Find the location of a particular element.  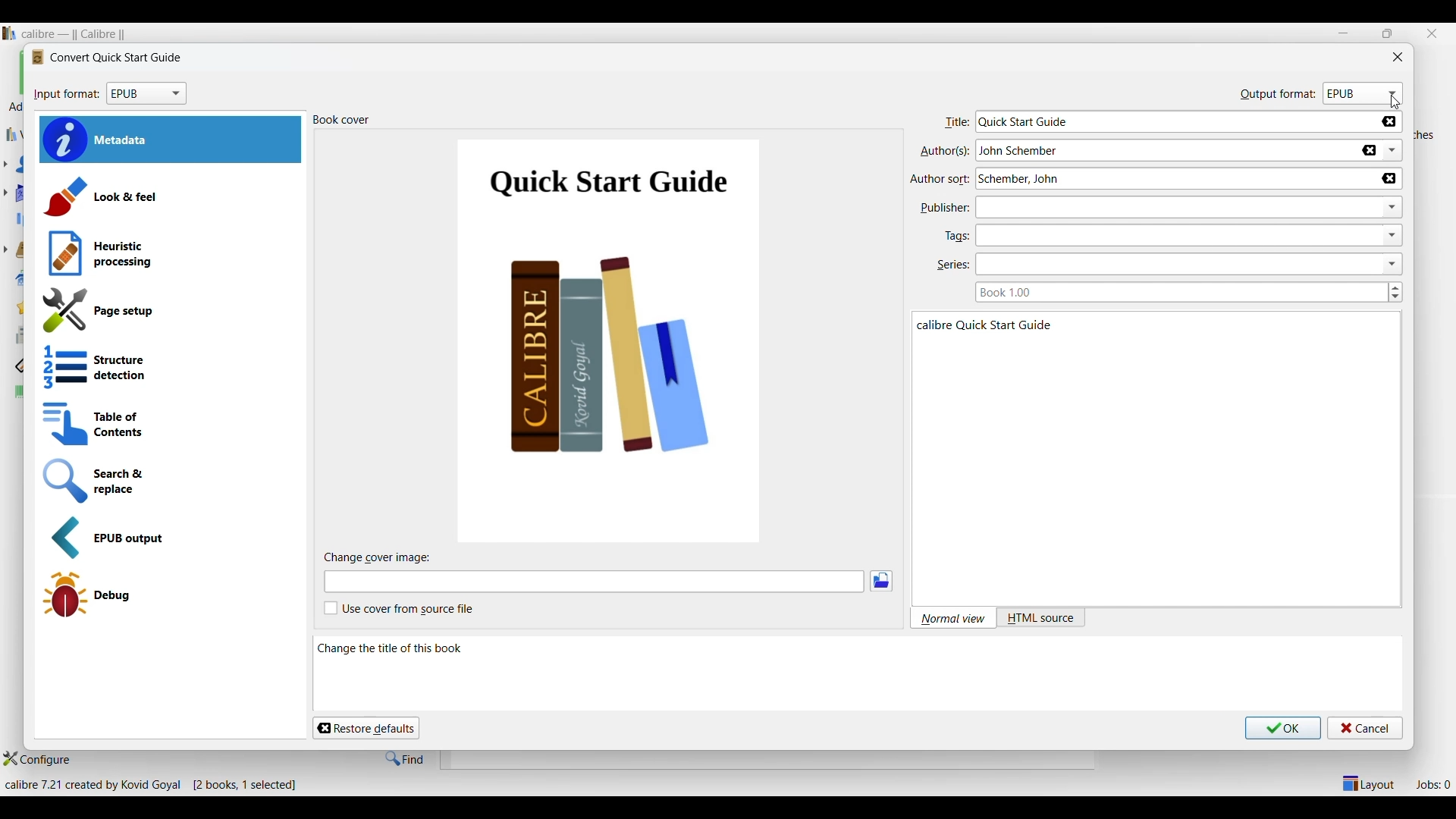

Type in cover image file name is located at coordinates (594, 582).